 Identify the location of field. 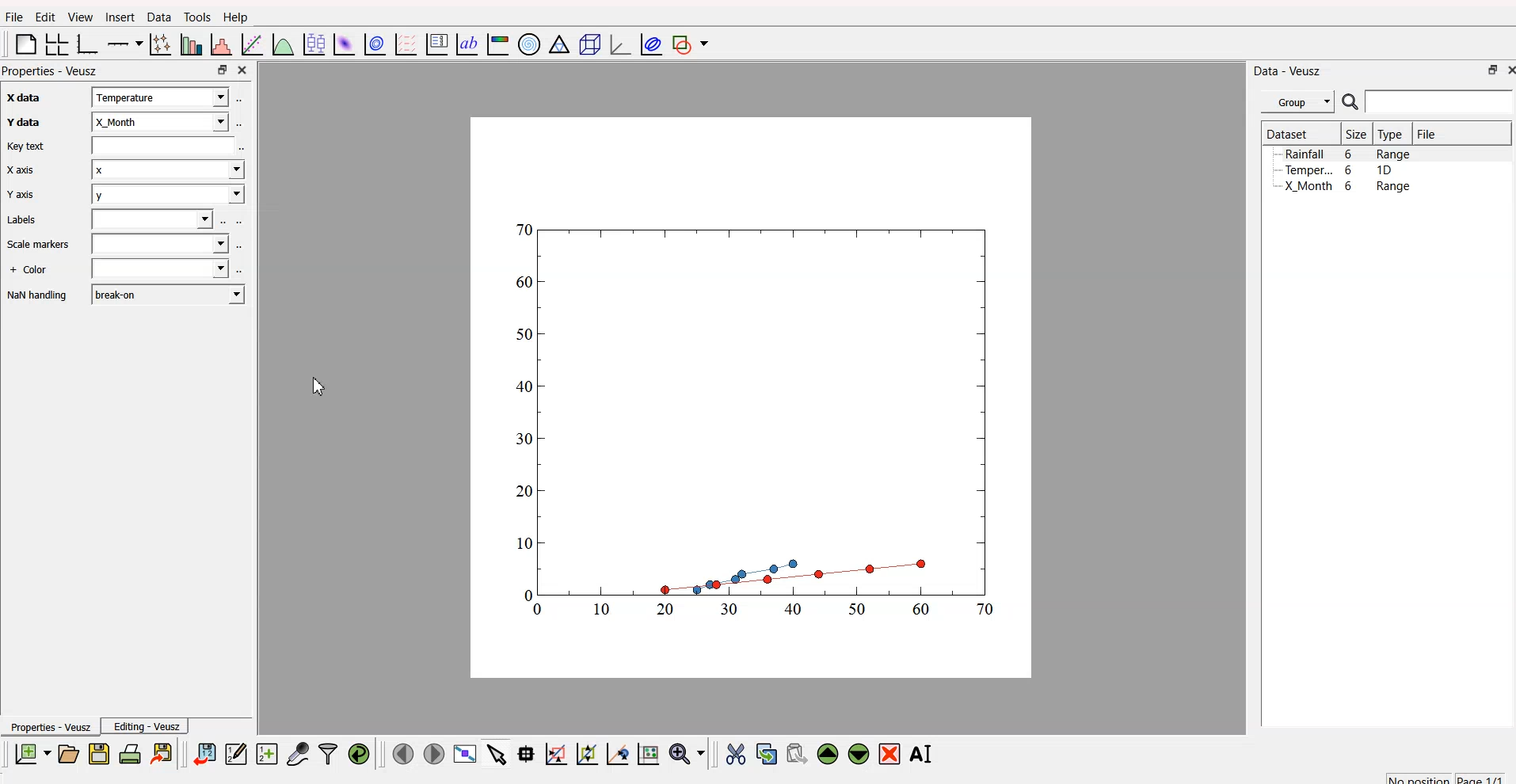
(163, 244).